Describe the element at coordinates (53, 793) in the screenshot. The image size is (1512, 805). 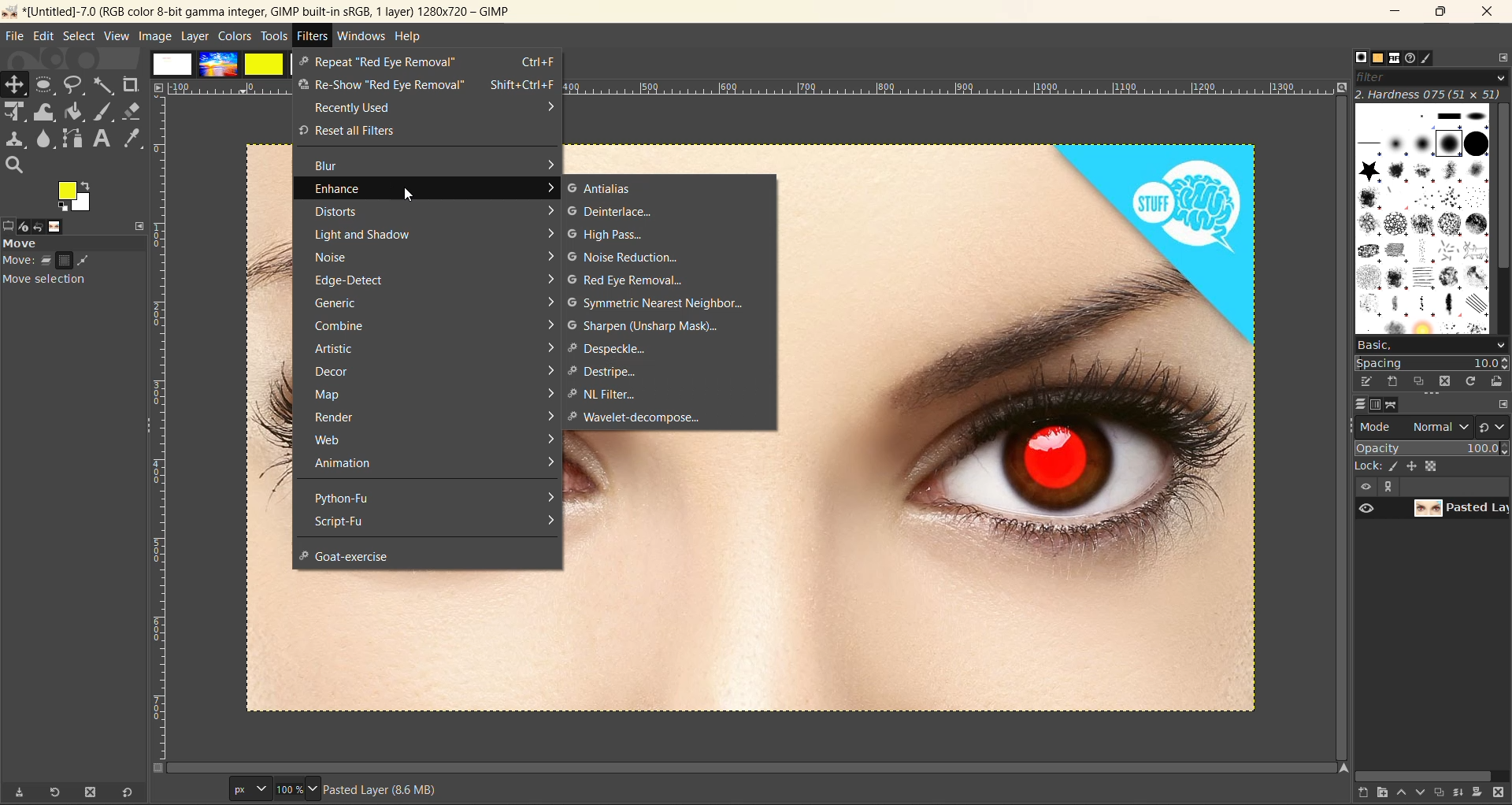
I see `refresh tool preset` at that location.